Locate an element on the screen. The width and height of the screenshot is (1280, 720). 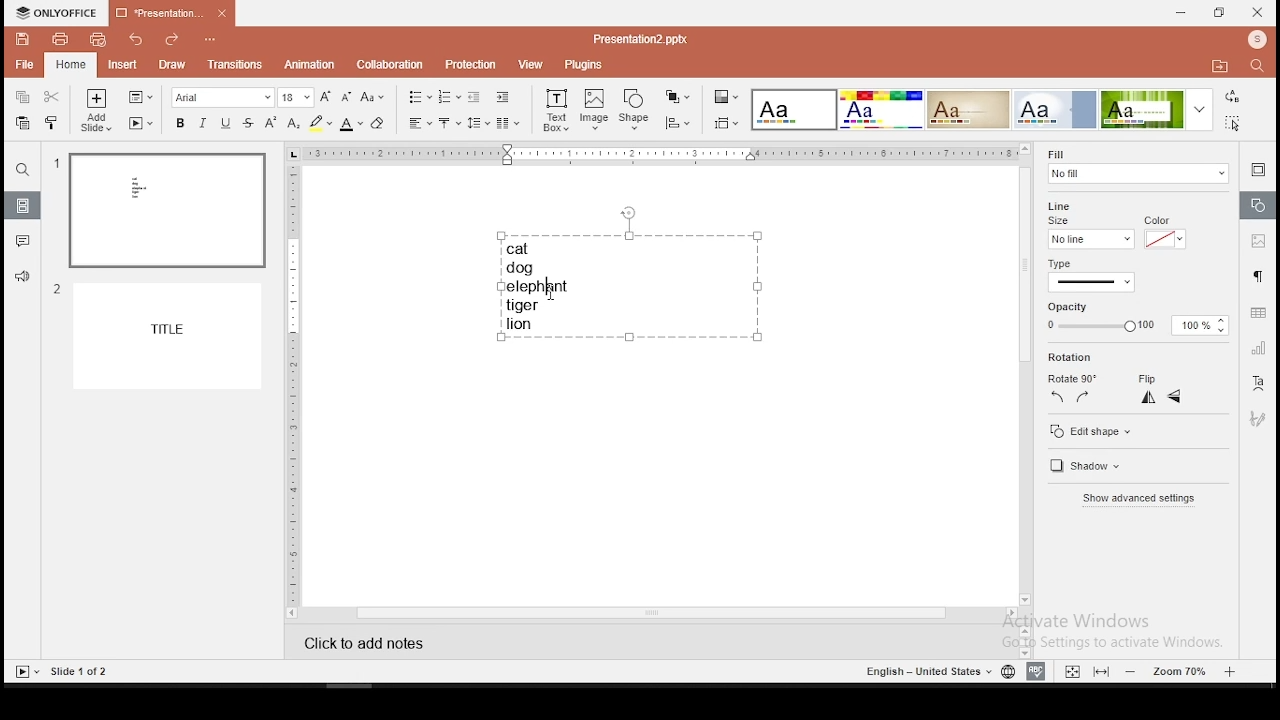
english - united states is located at coordinates (921, 671).